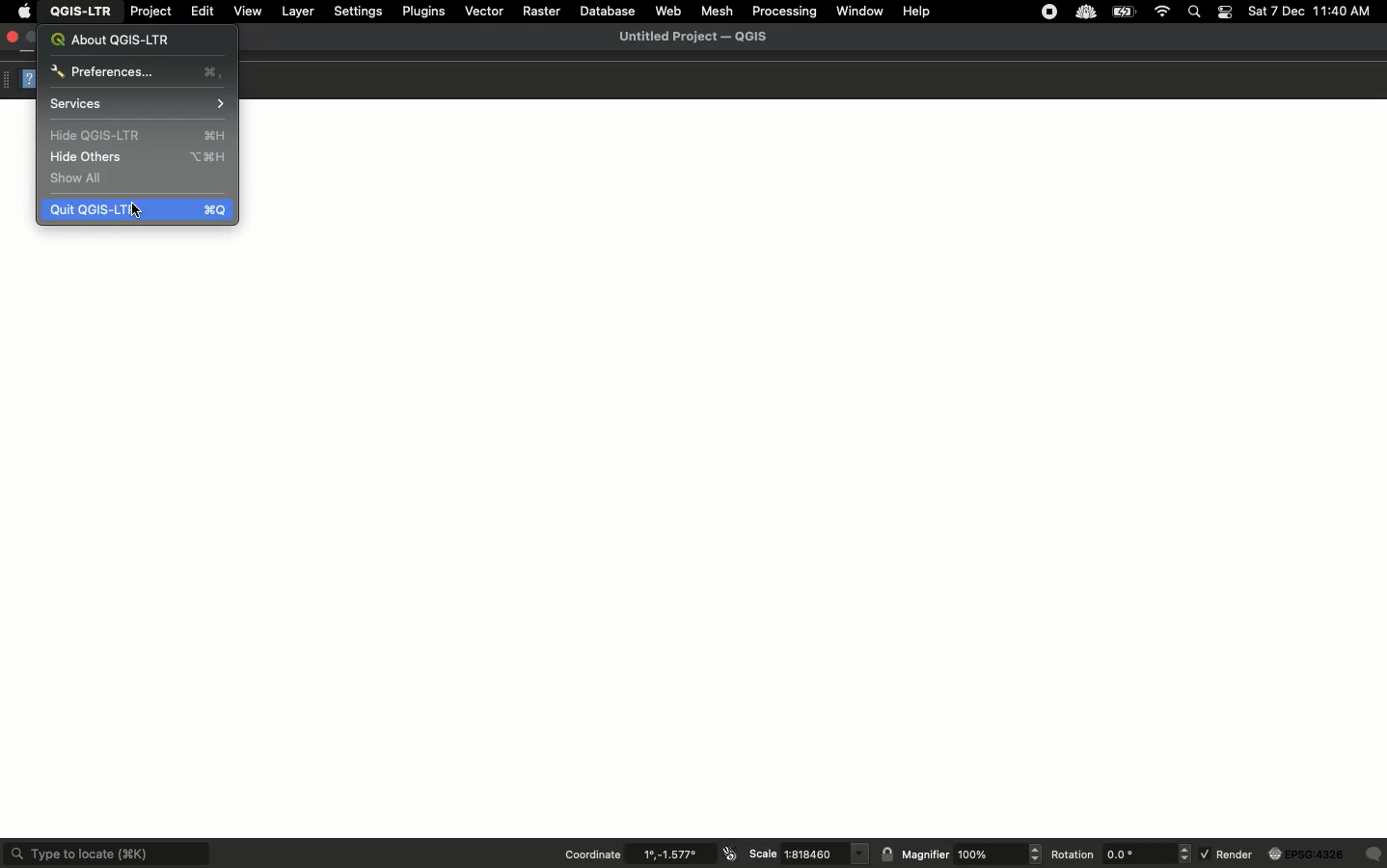  I want to click on Render, so click(1226, 854).